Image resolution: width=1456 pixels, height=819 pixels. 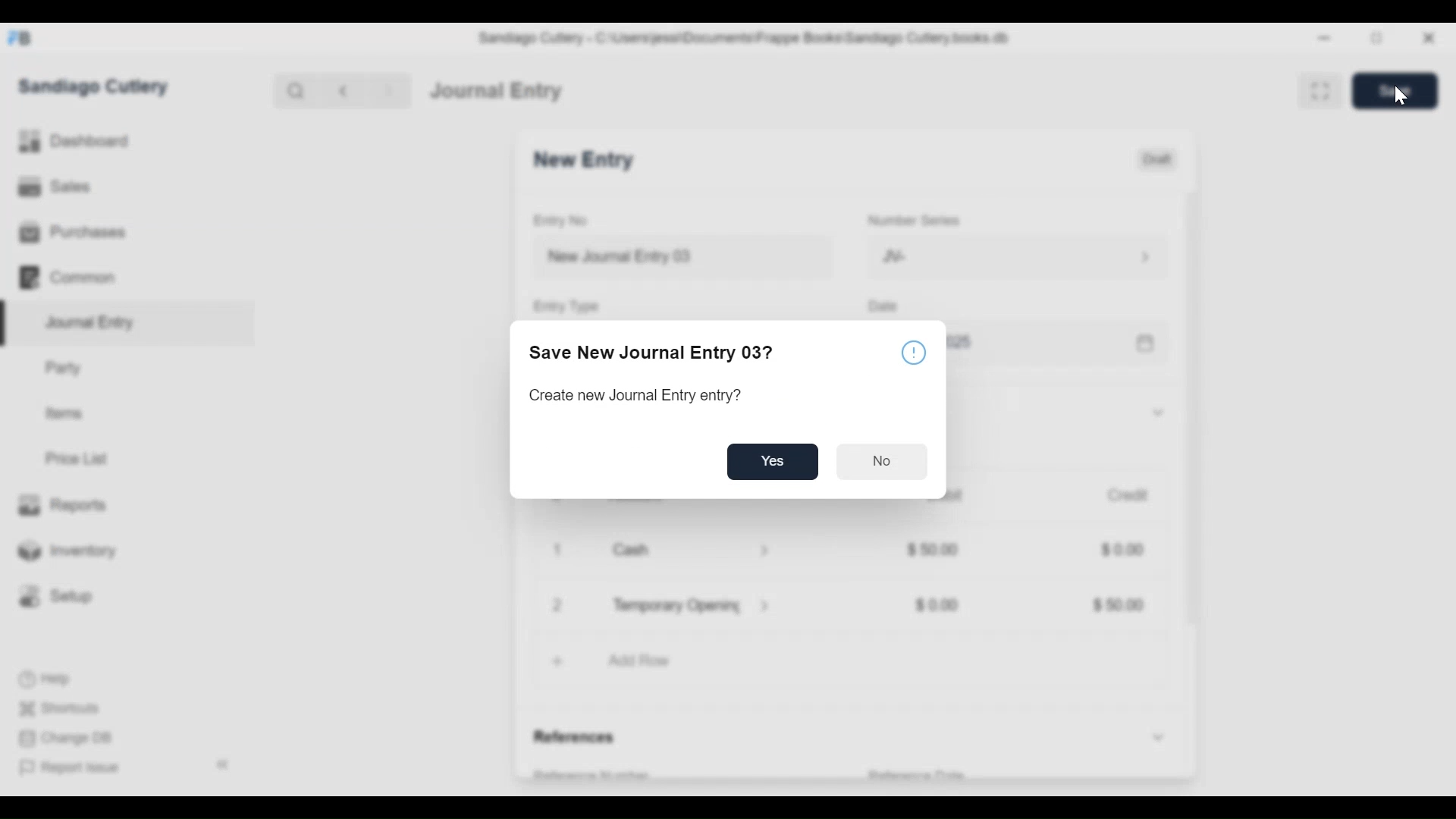 What do you see at coordinates (885, 465) in the screenshot?
I see `No` at bounding box center [885, 465].